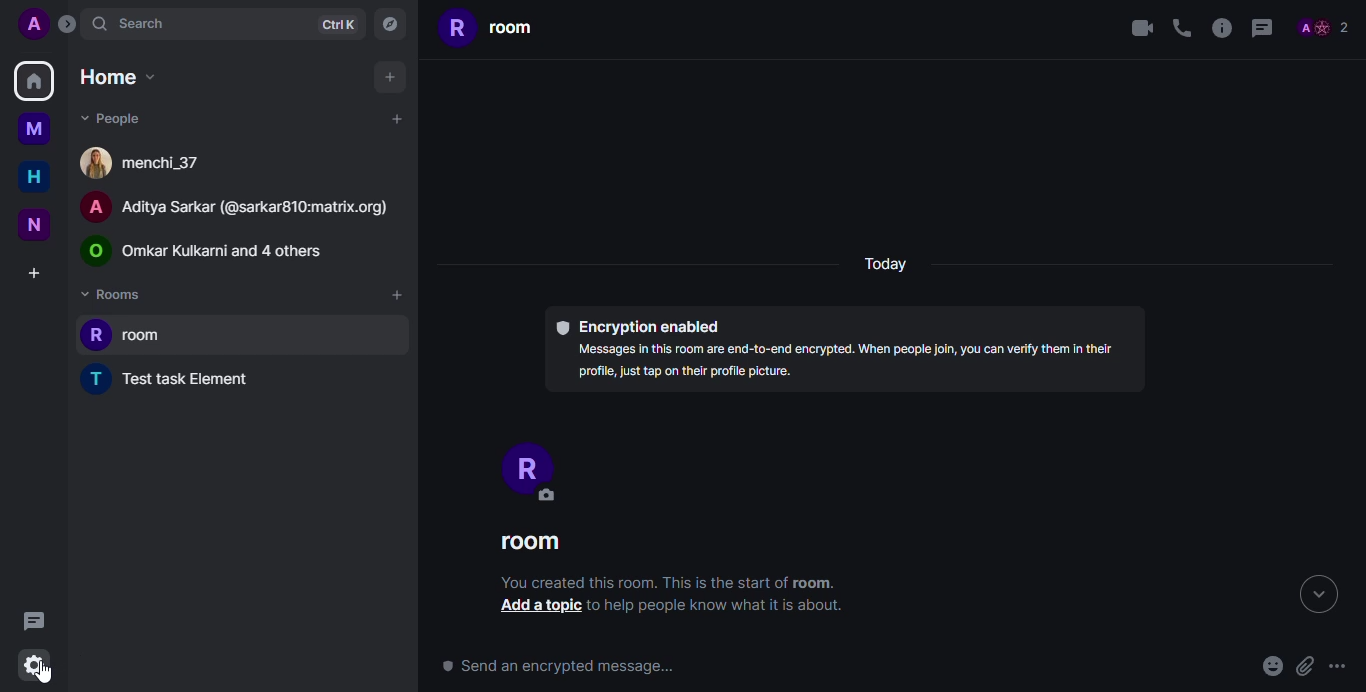 Image resolution: width=1366 pixels, height=692 pixels. I want to click on Aditya Sarkar room, so click(246, 206).